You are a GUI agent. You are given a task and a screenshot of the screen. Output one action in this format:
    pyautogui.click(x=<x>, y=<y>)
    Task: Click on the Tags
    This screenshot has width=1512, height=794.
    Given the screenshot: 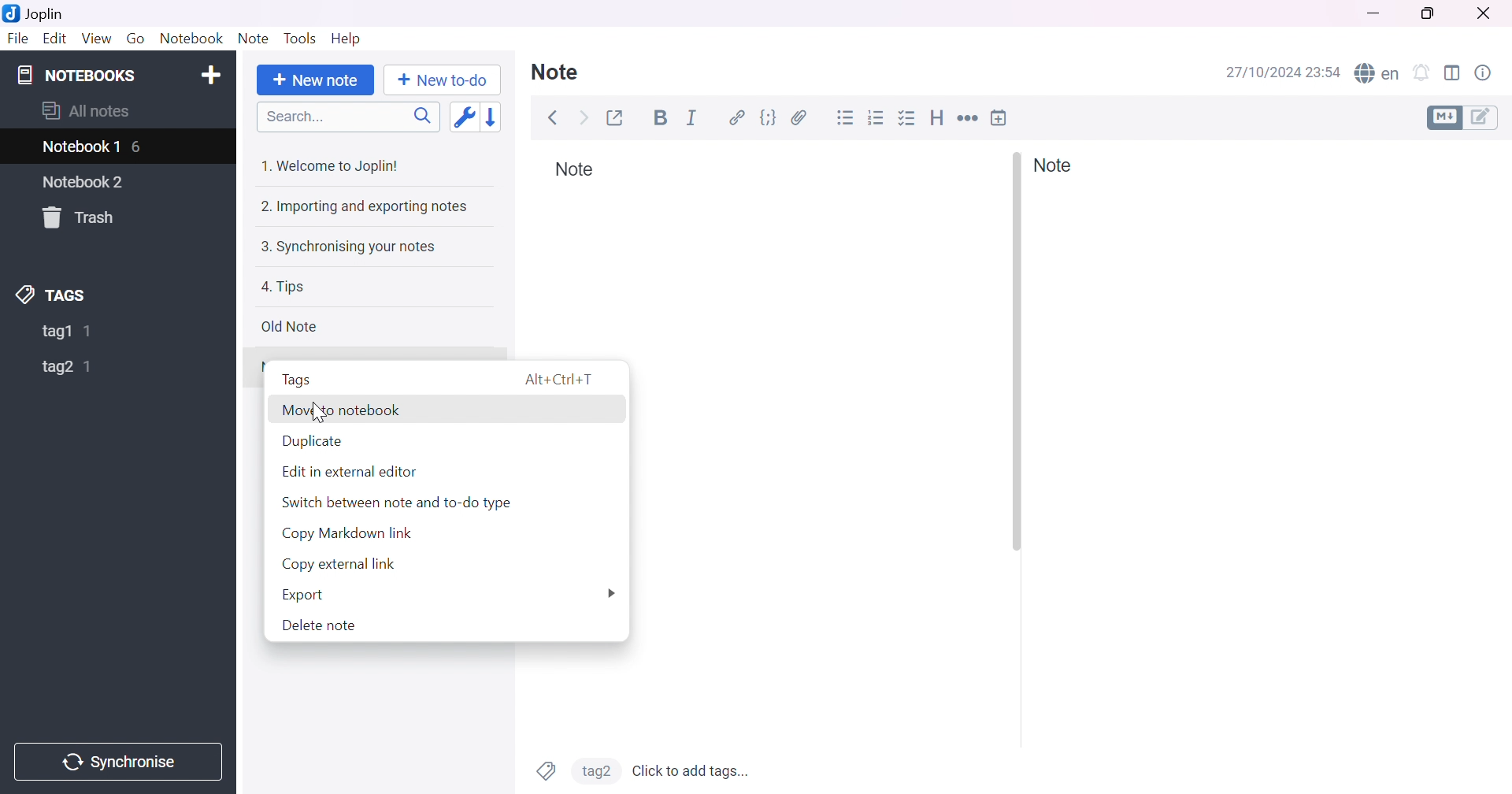 What is the action you would take?
    pyautogui.click(x=296, y=380)
    